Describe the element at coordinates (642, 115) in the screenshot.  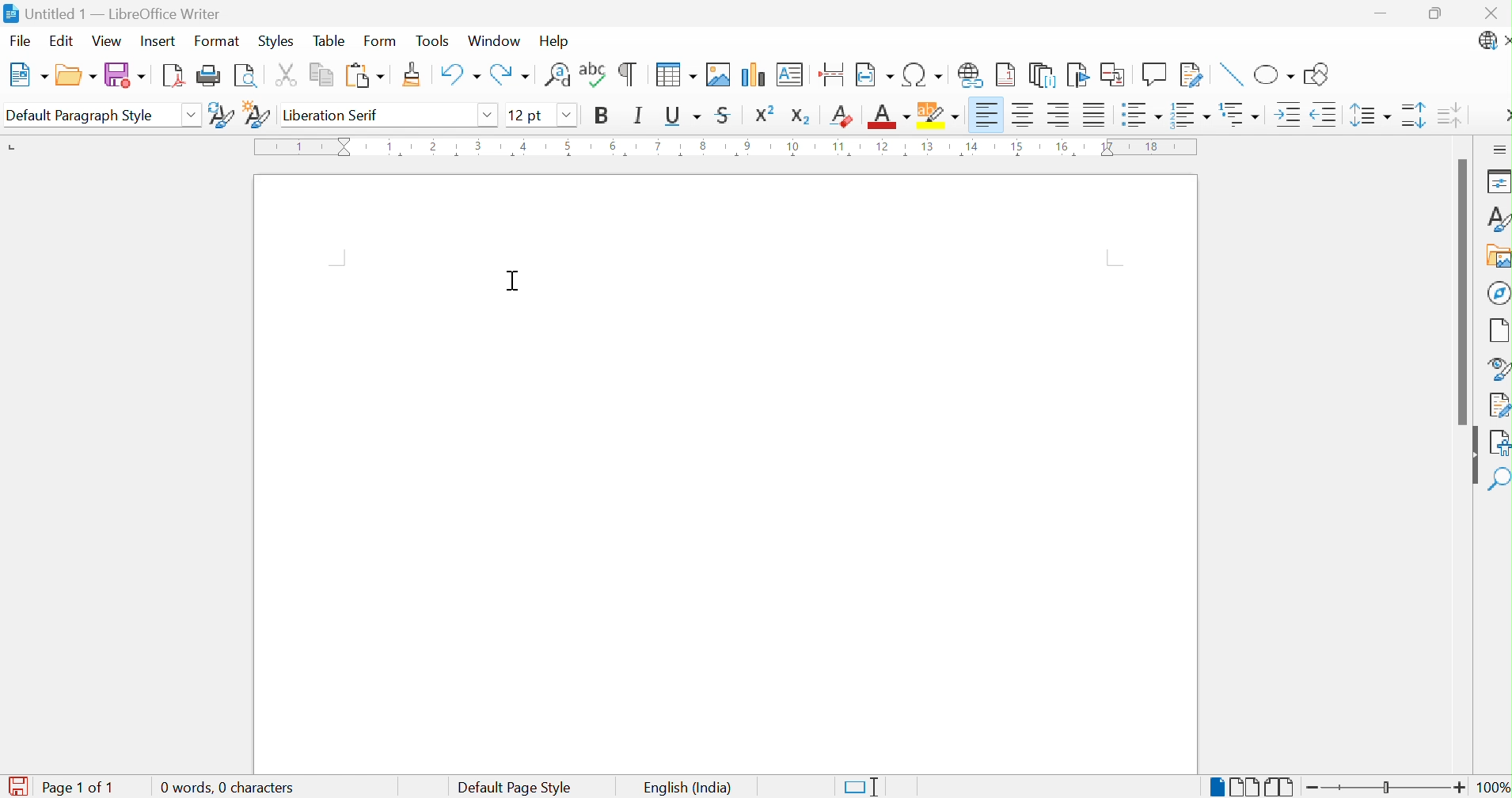
I see `Italic` at that location.